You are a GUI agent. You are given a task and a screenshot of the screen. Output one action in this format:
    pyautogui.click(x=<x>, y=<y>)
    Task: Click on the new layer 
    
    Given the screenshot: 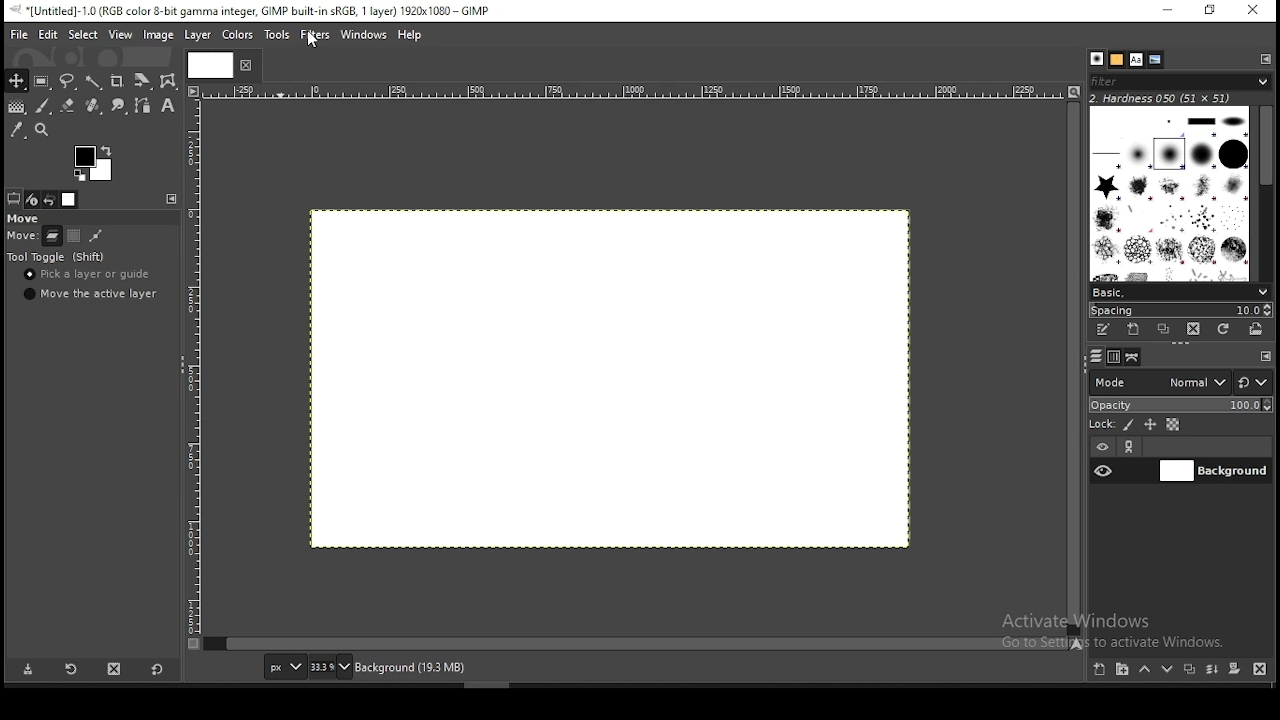 What is the action you would take?
    pyautogui.click(x=1101, y=670)
    